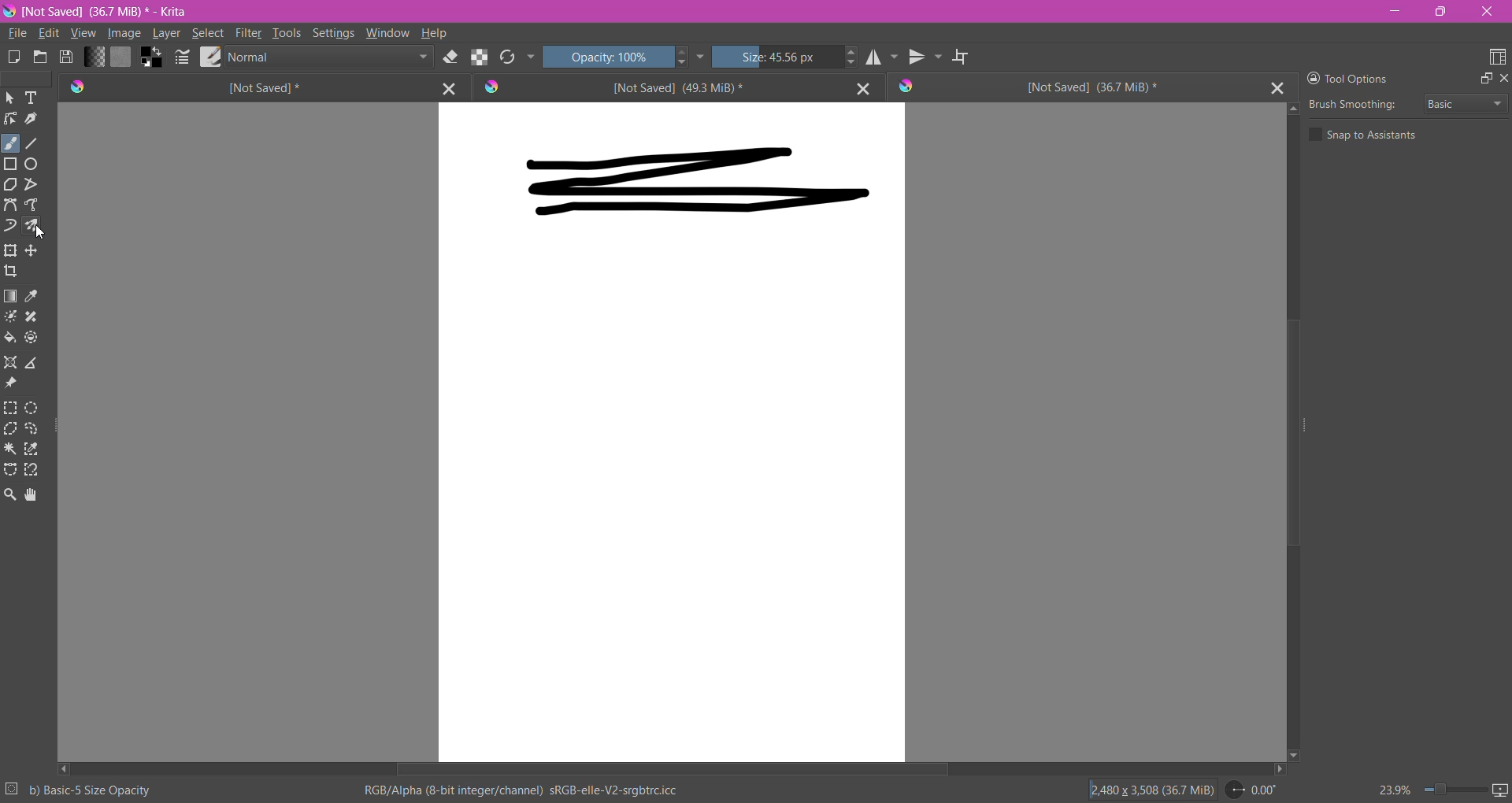 The image size is (1512, 803). Describe the element at coordinates (506, 57) in the screenshot. I see `Reload Original Presets` at that location.